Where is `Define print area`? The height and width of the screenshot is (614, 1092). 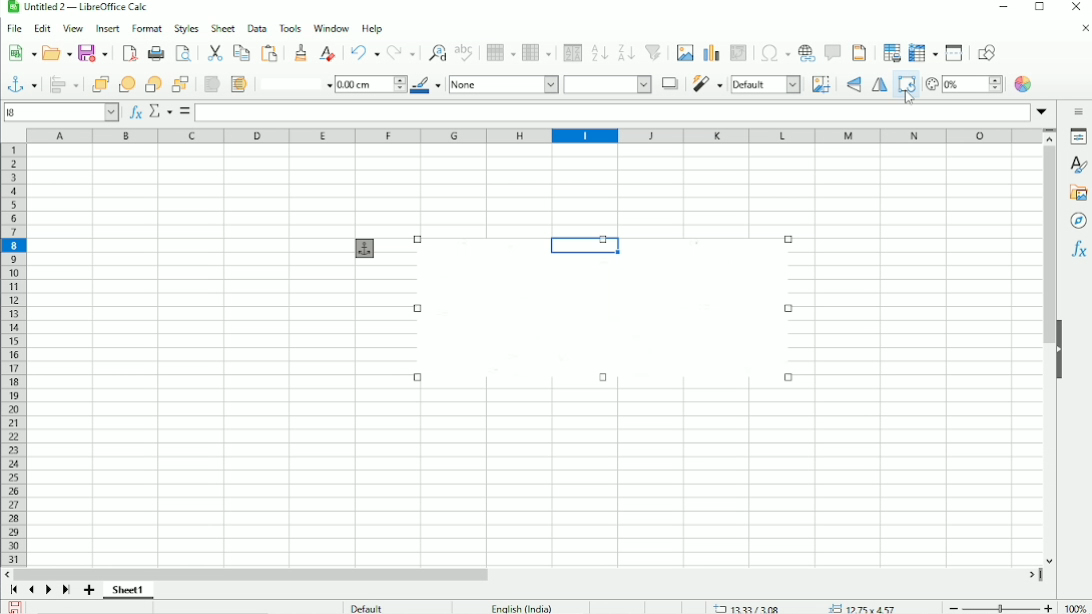
Define print area is located at coordinates (892, 52).